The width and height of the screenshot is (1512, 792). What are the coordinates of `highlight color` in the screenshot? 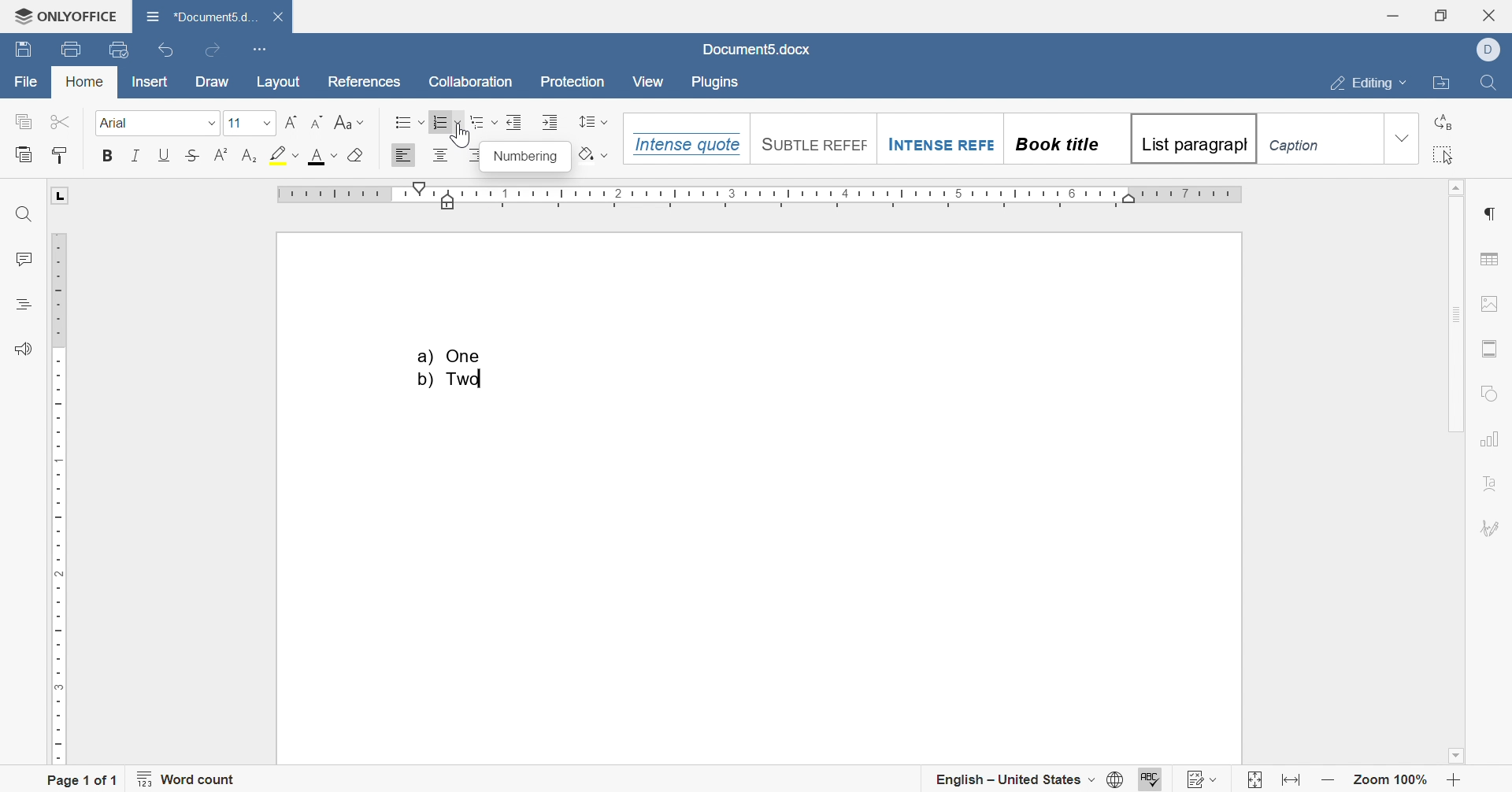 It's located at (286, 154).